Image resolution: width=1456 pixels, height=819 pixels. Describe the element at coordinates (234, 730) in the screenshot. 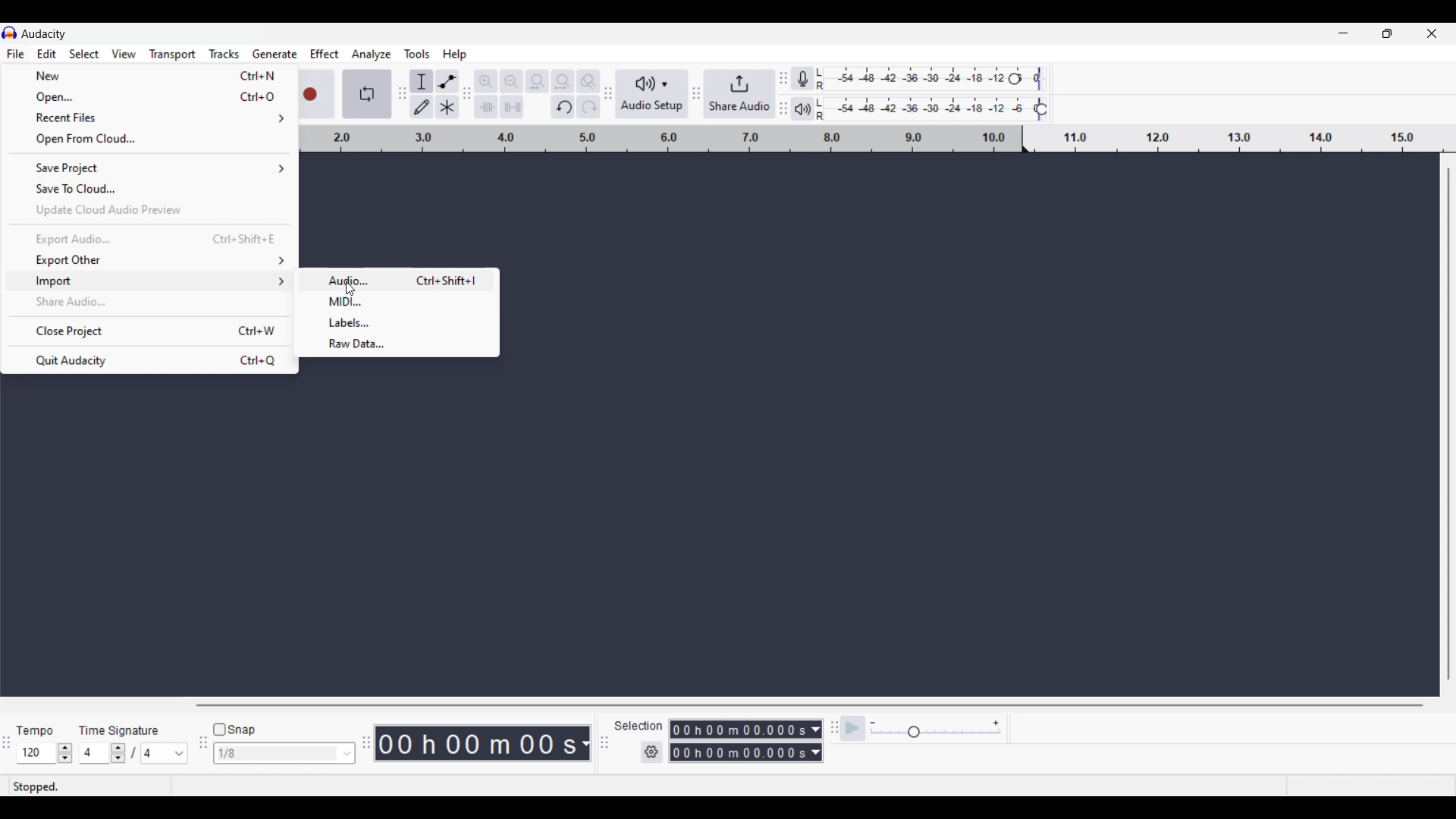

I see `Snap toggle` at that location.